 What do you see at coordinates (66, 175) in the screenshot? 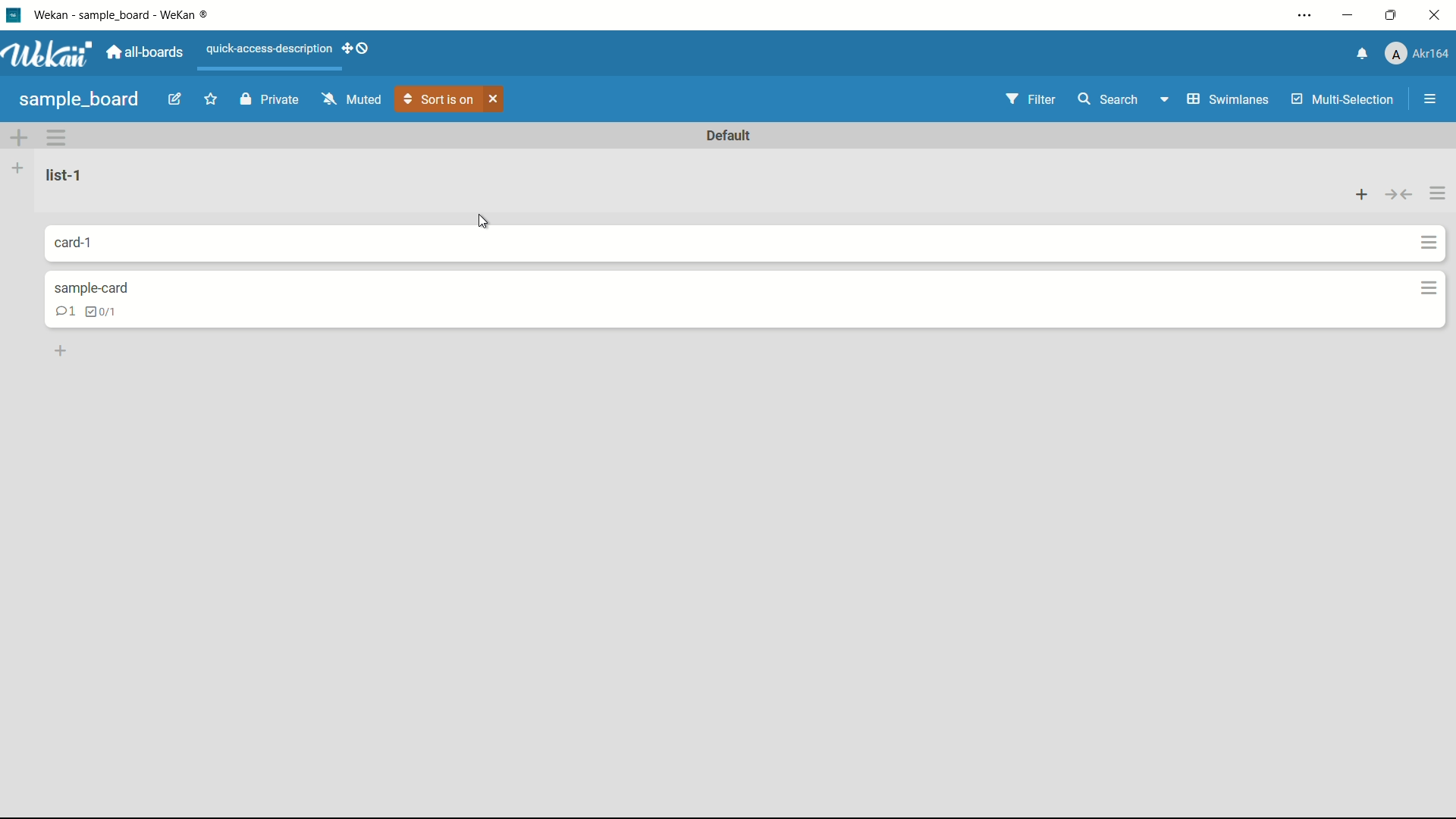
I see `list-1` at bounding box center [66, 175].